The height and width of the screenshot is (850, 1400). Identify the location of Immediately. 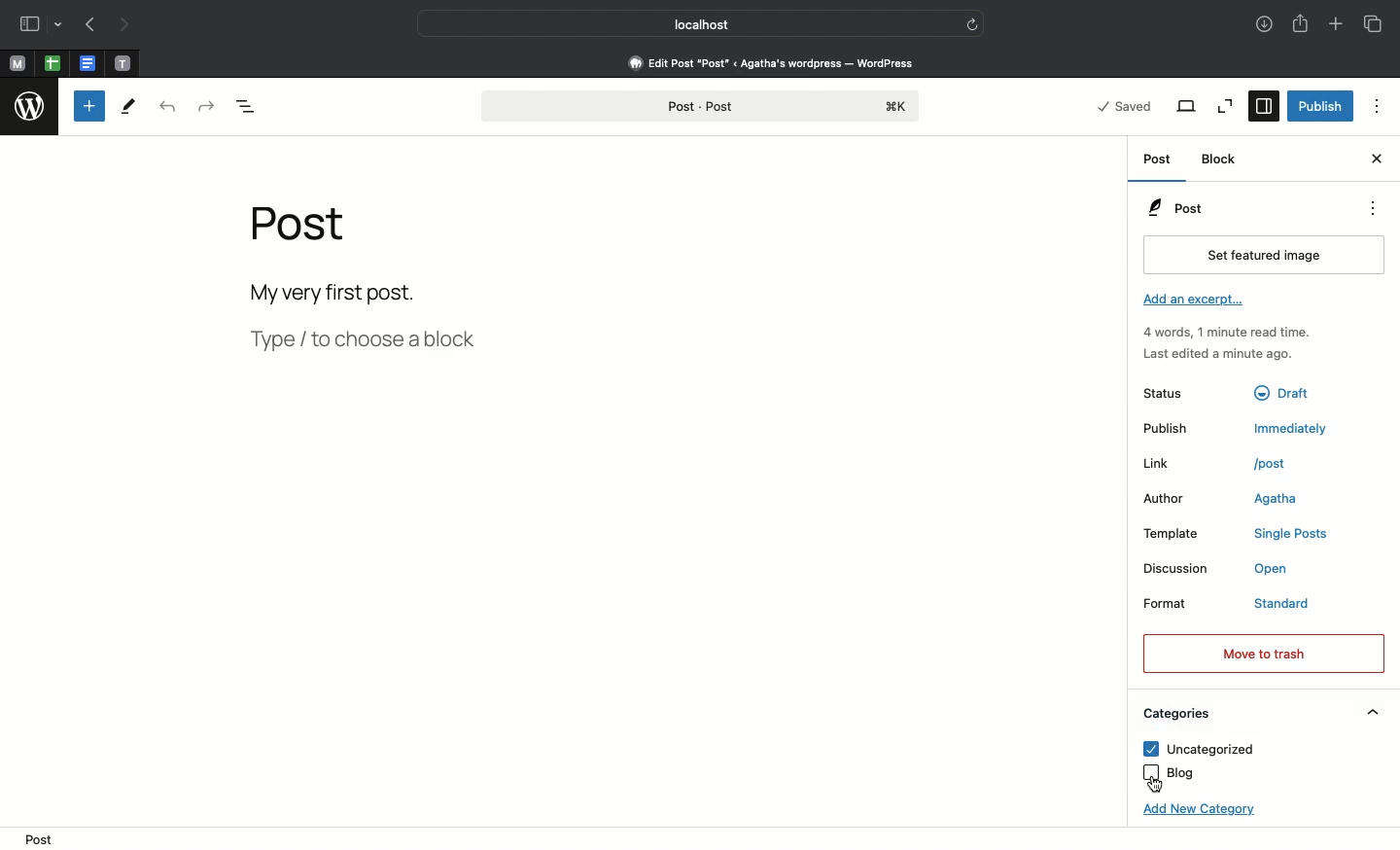
(1295, 428).